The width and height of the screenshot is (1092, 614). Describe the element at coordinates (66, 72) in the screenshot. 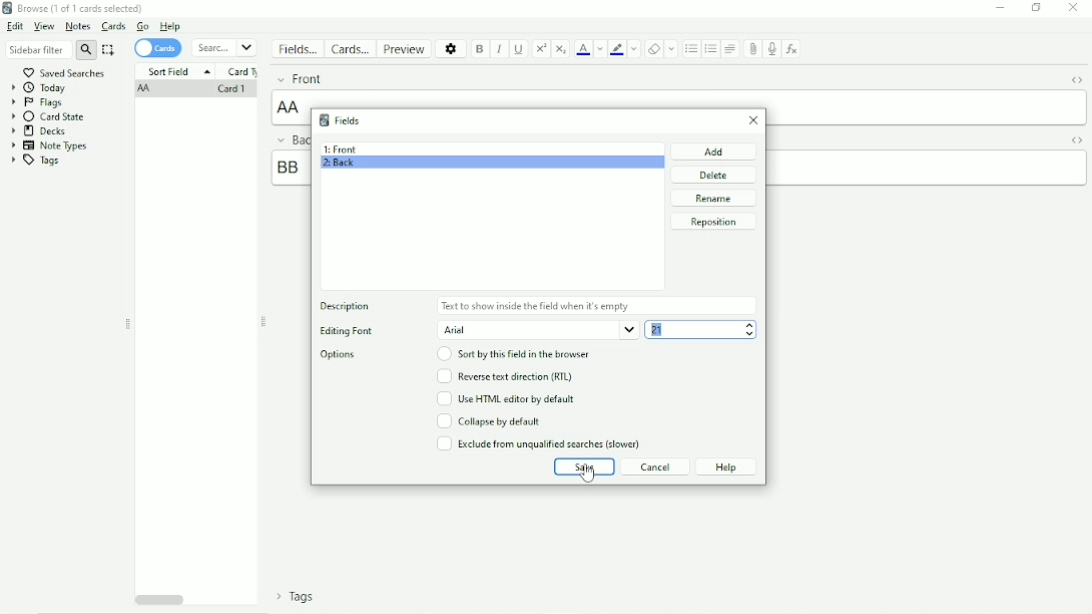

I see `Saved Searches` at that location.